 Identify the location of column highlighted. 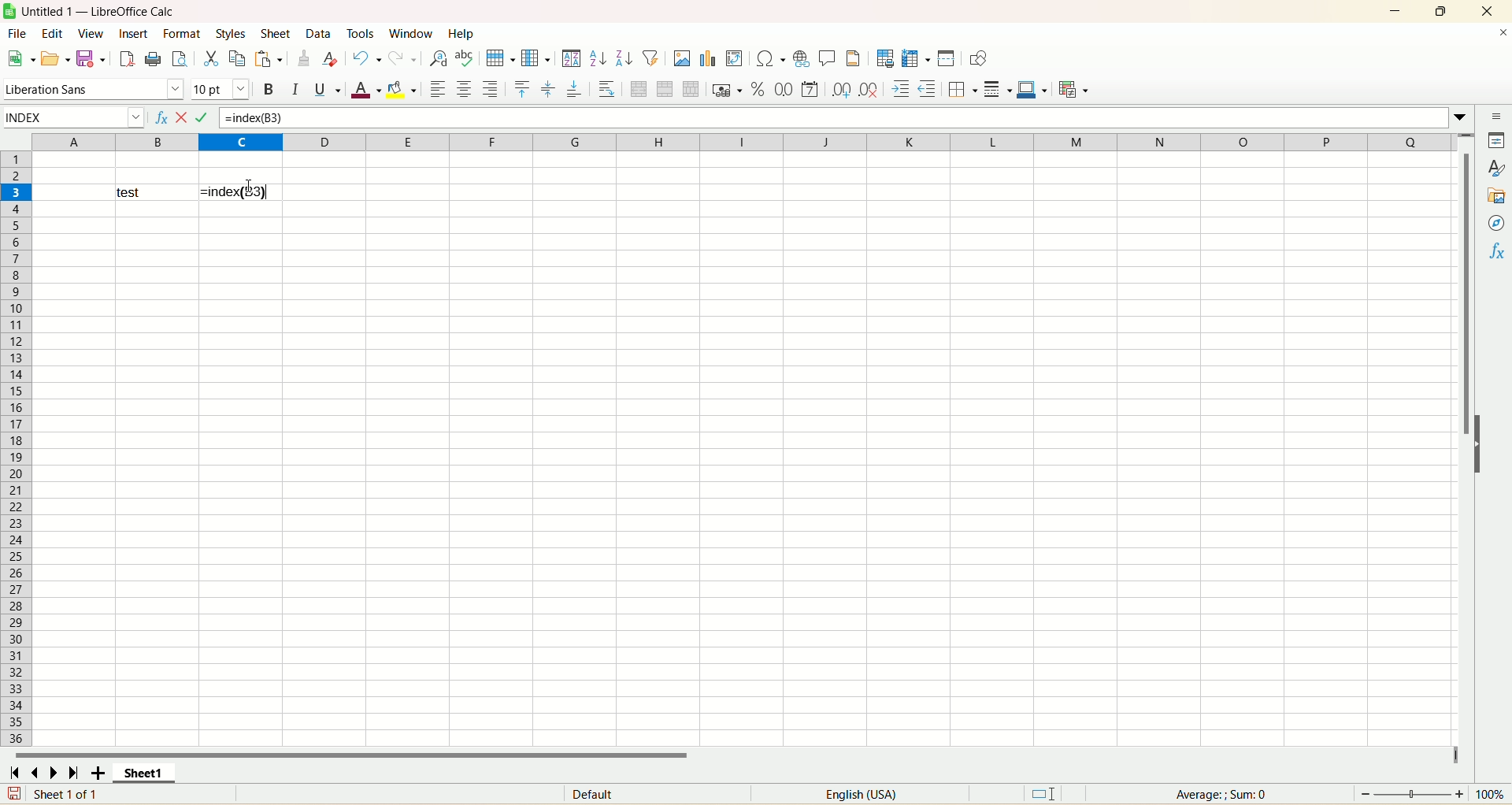
(240, 142).